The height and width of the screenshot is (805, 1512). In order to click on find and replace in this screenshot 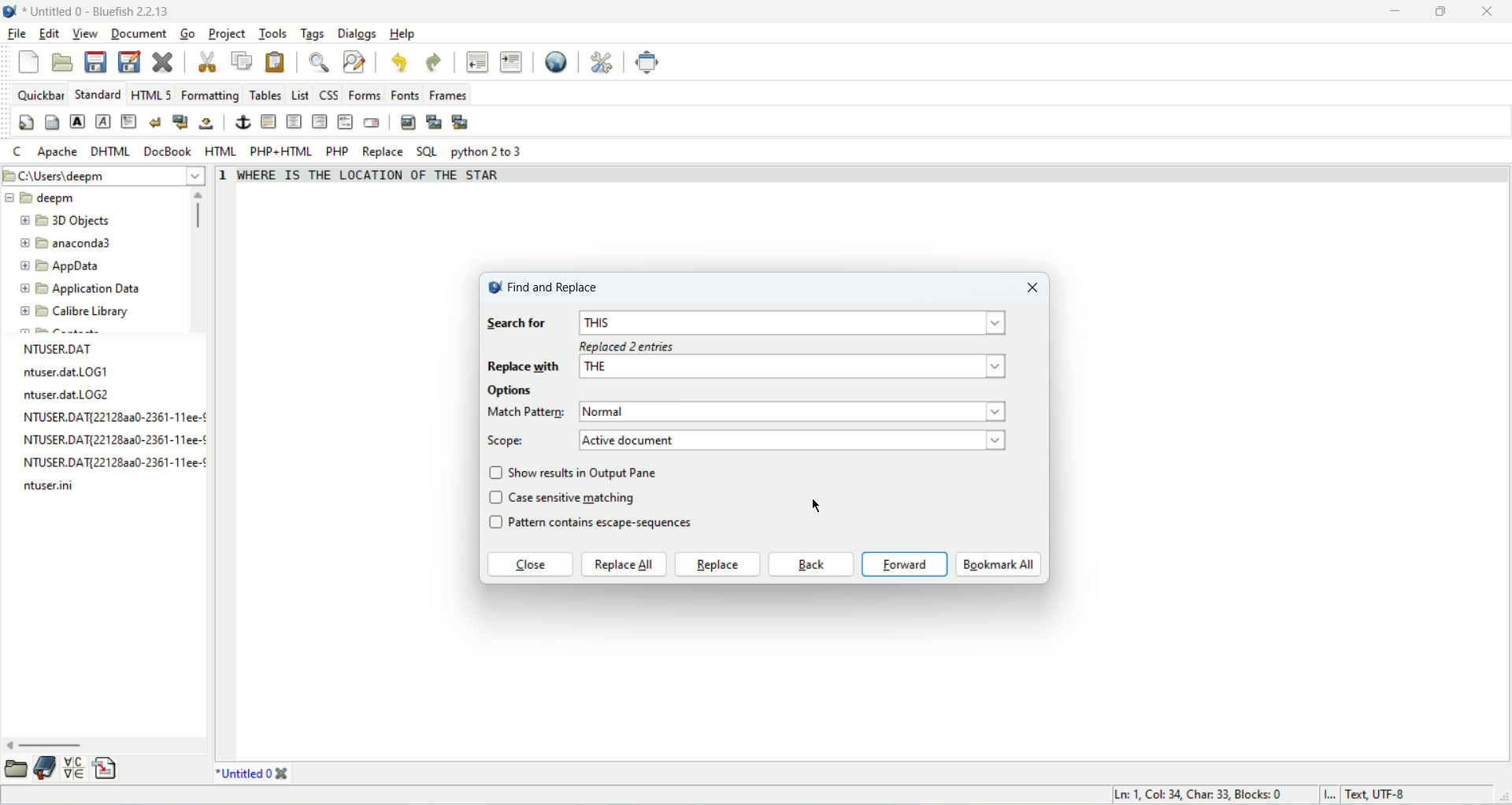, I will do `click(354, 61)`.